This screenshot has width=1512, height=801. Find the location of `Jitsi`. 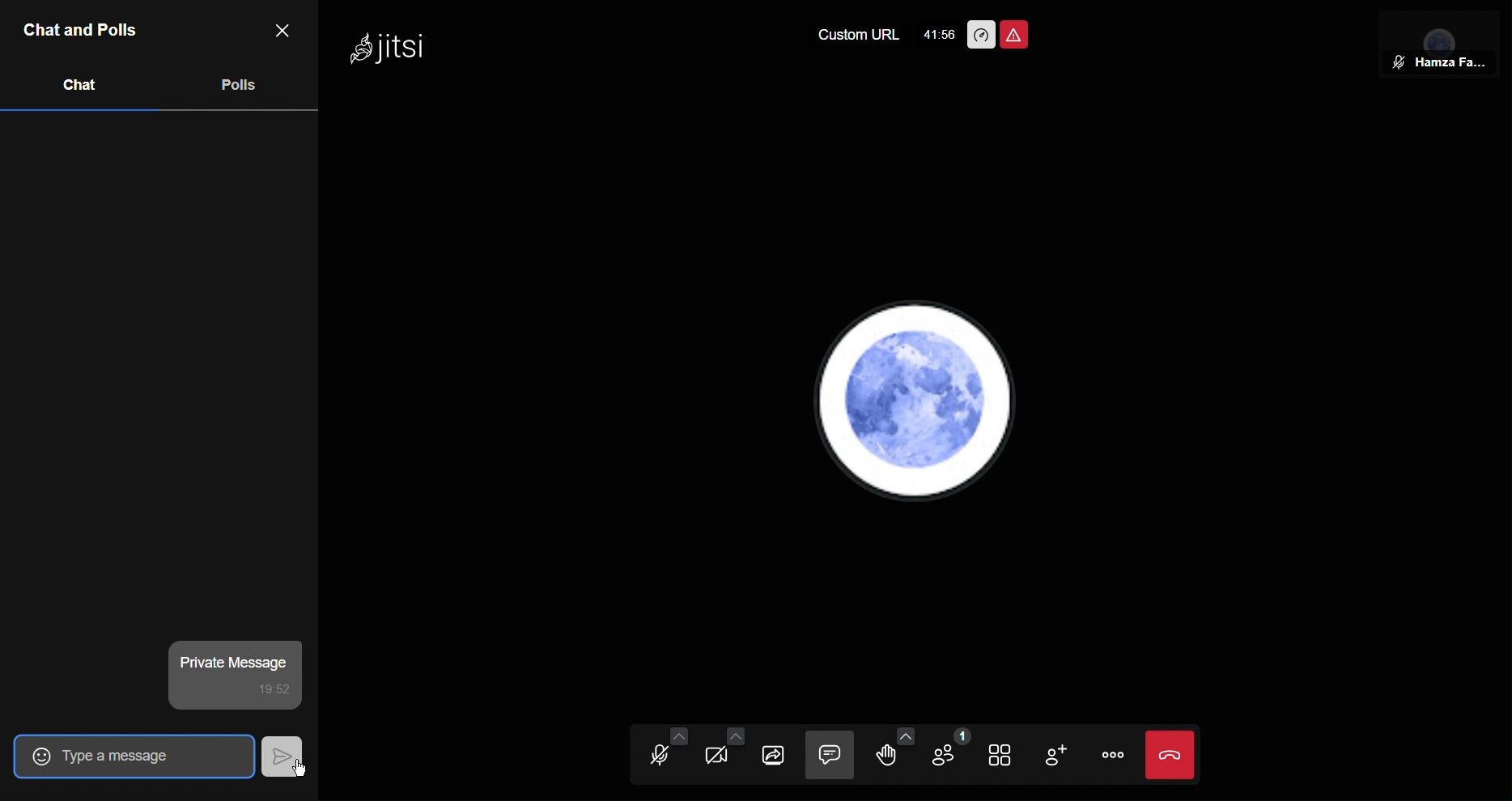

Jitsi is located at coordinates (392, 46).